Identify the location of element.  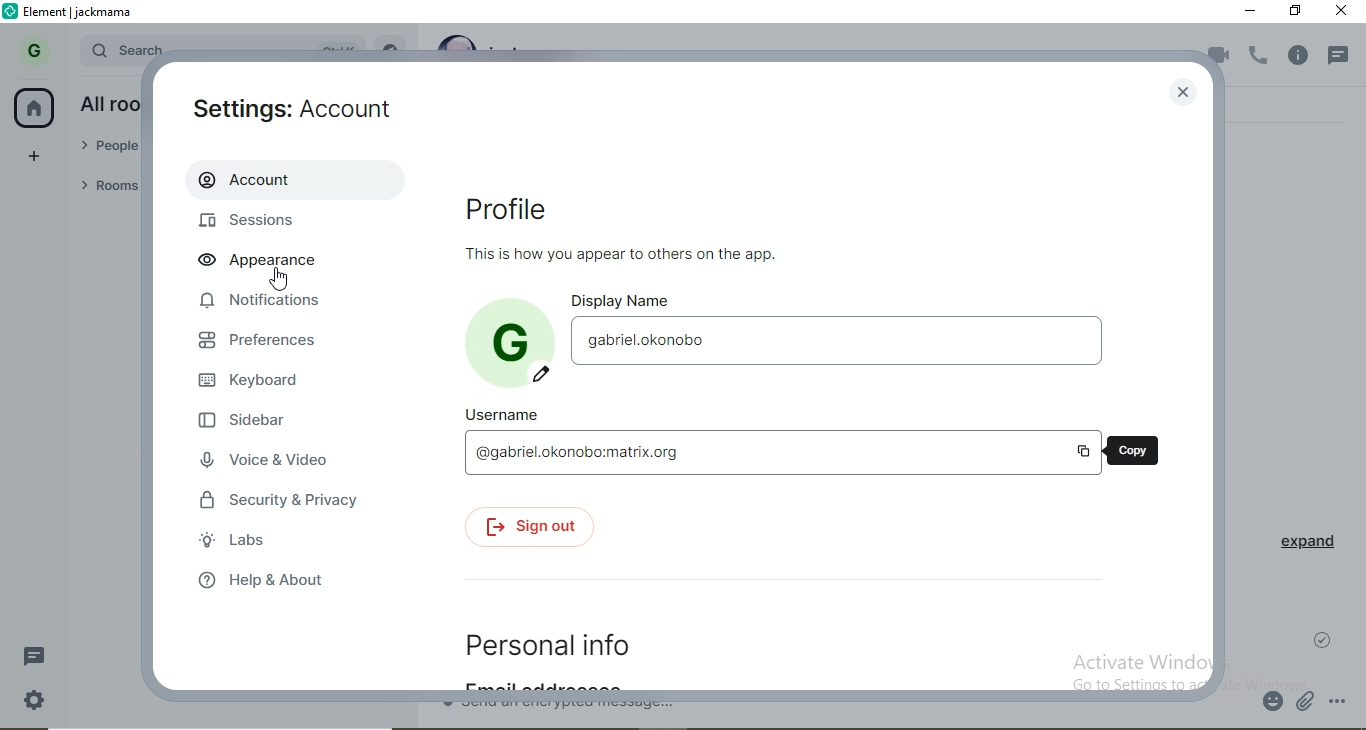
(79, 13).